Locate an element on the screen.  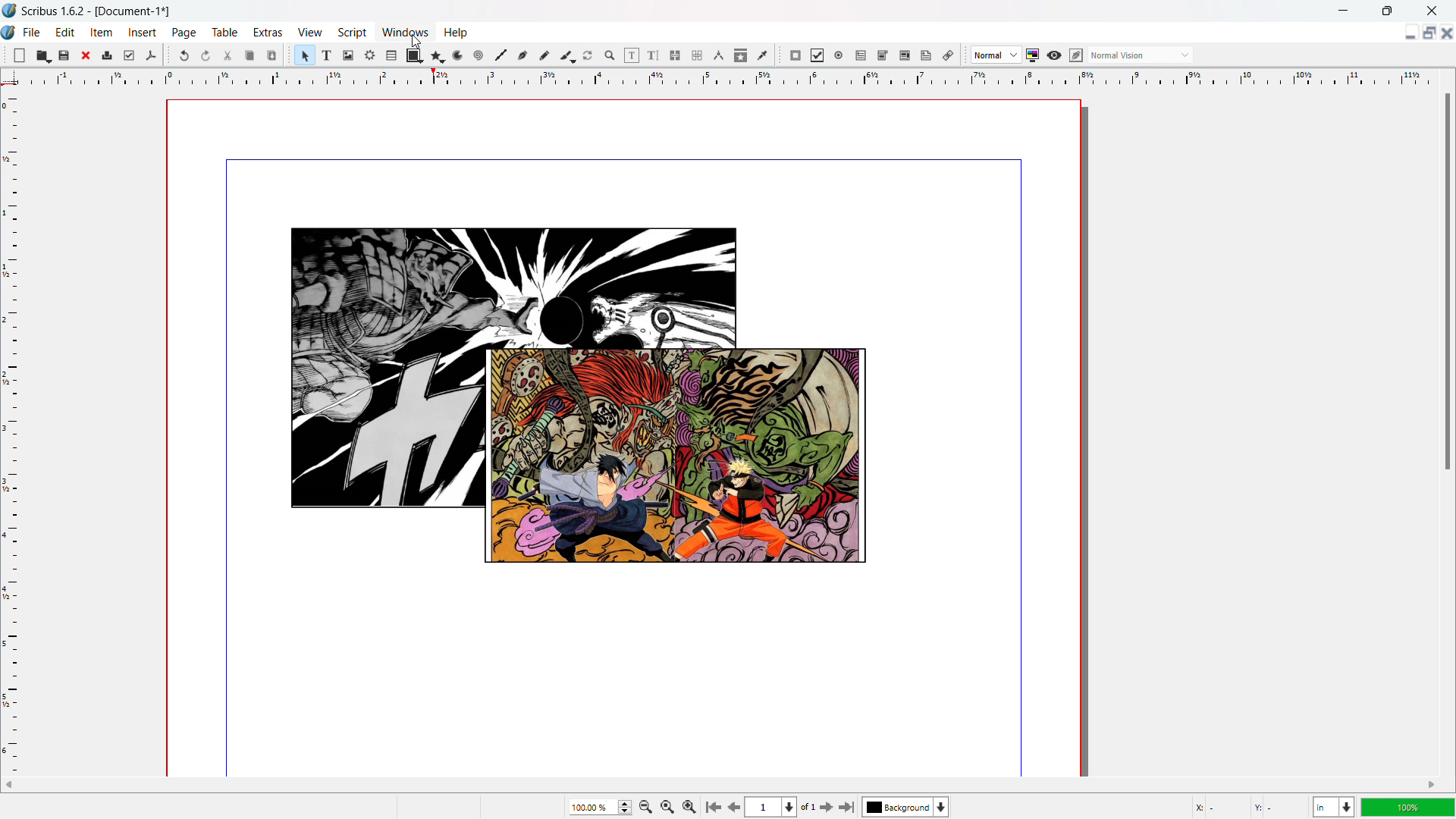
move tools is located at coordinates (5, 54).